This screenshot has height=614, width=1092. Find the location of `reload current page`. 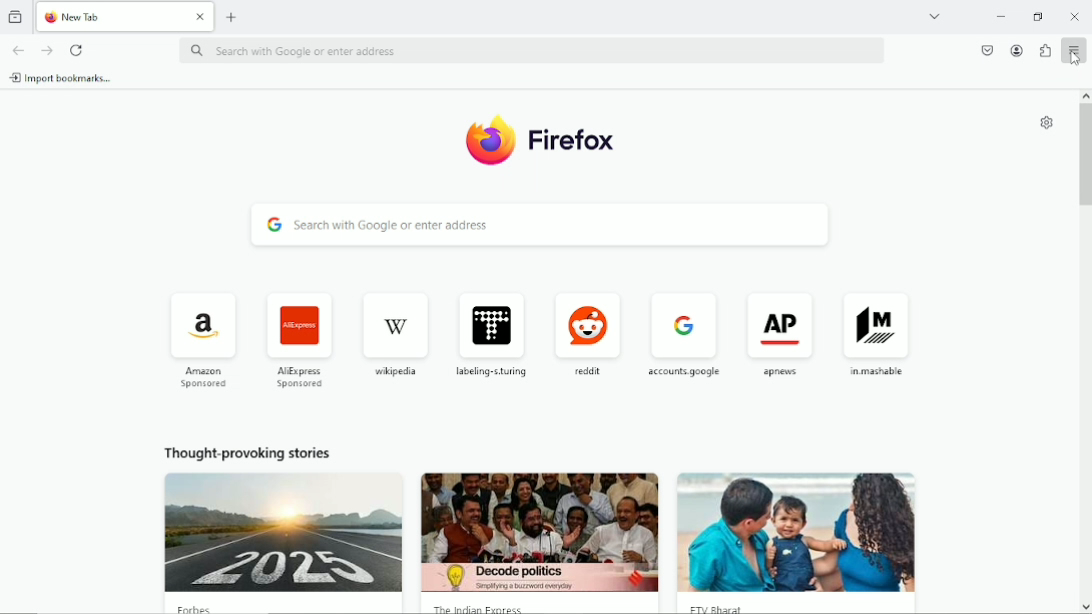

reload current page is located at coordinates (79, 50).